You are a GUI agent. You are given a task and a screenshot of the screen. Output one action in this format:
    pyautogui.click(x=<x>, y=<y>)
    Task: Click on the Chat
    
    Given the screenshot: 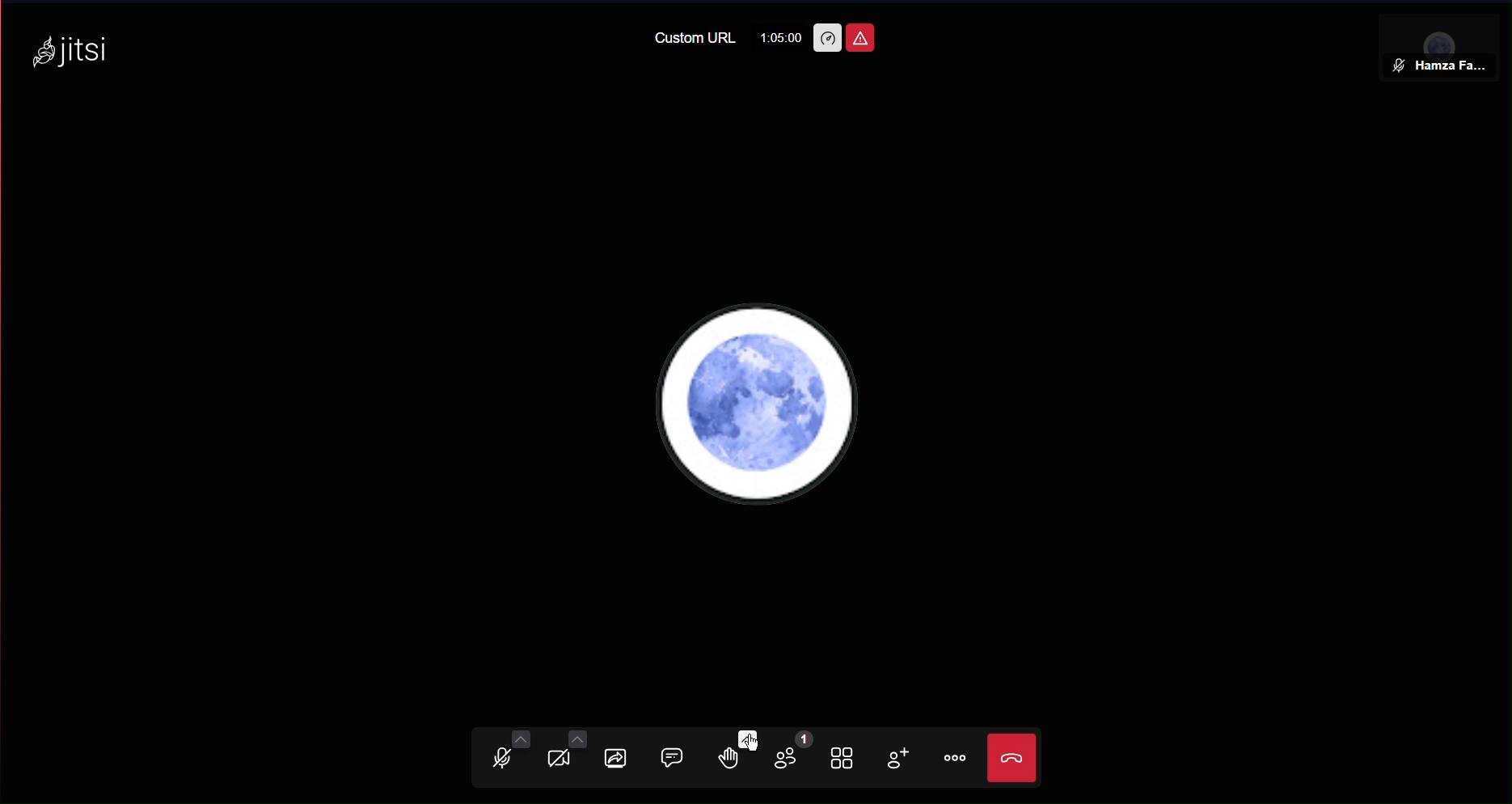 What is the action you would take?
    pyautogui.click(x=681, y=758)
    